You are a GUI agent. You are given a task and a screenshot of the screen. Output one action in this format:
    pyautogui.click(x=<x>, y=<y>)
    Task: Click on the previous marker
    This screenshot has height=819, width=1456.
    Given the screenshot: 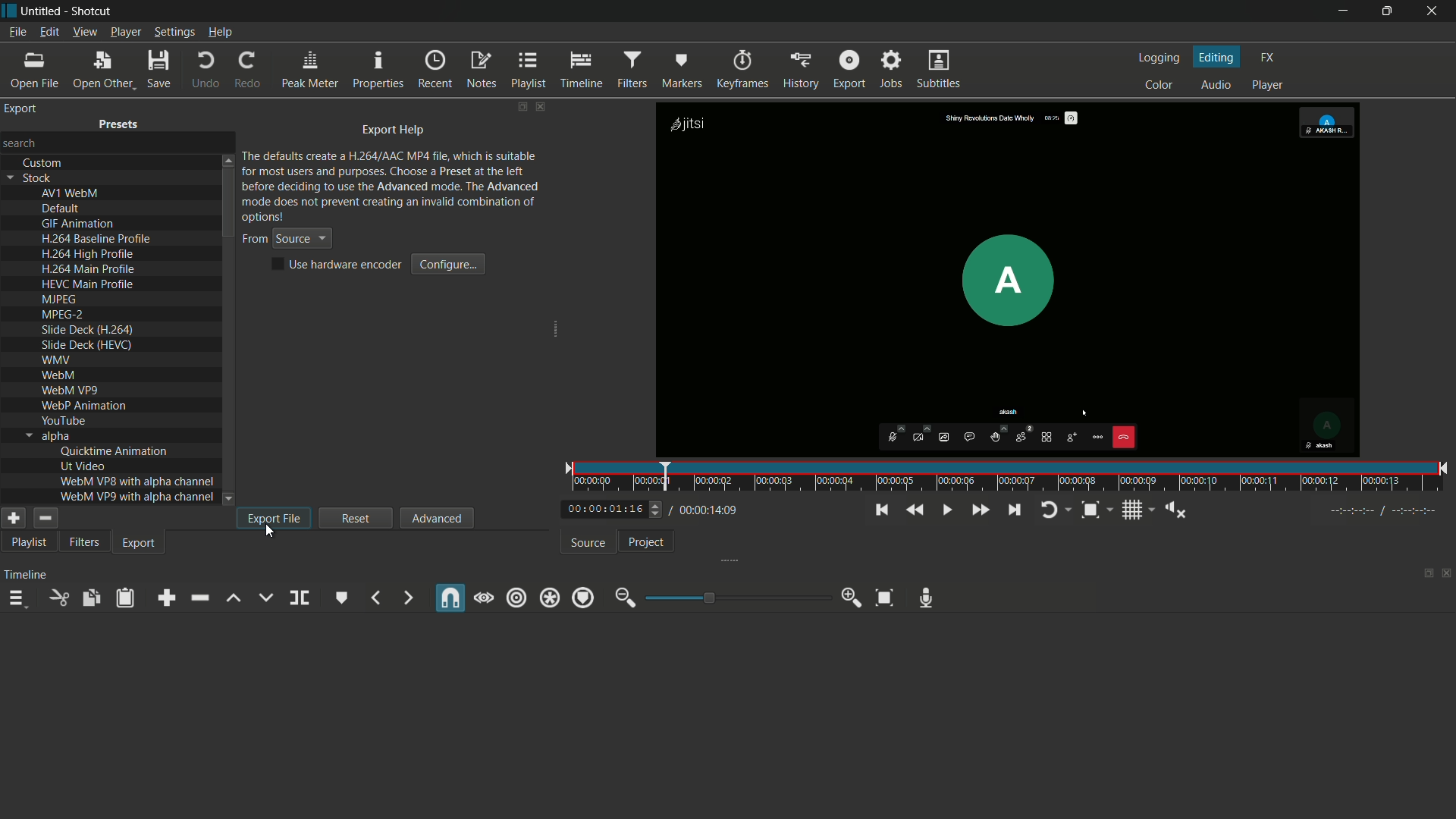 What is the action you would take?
    pyautogui.click(x=375, y=598)
    